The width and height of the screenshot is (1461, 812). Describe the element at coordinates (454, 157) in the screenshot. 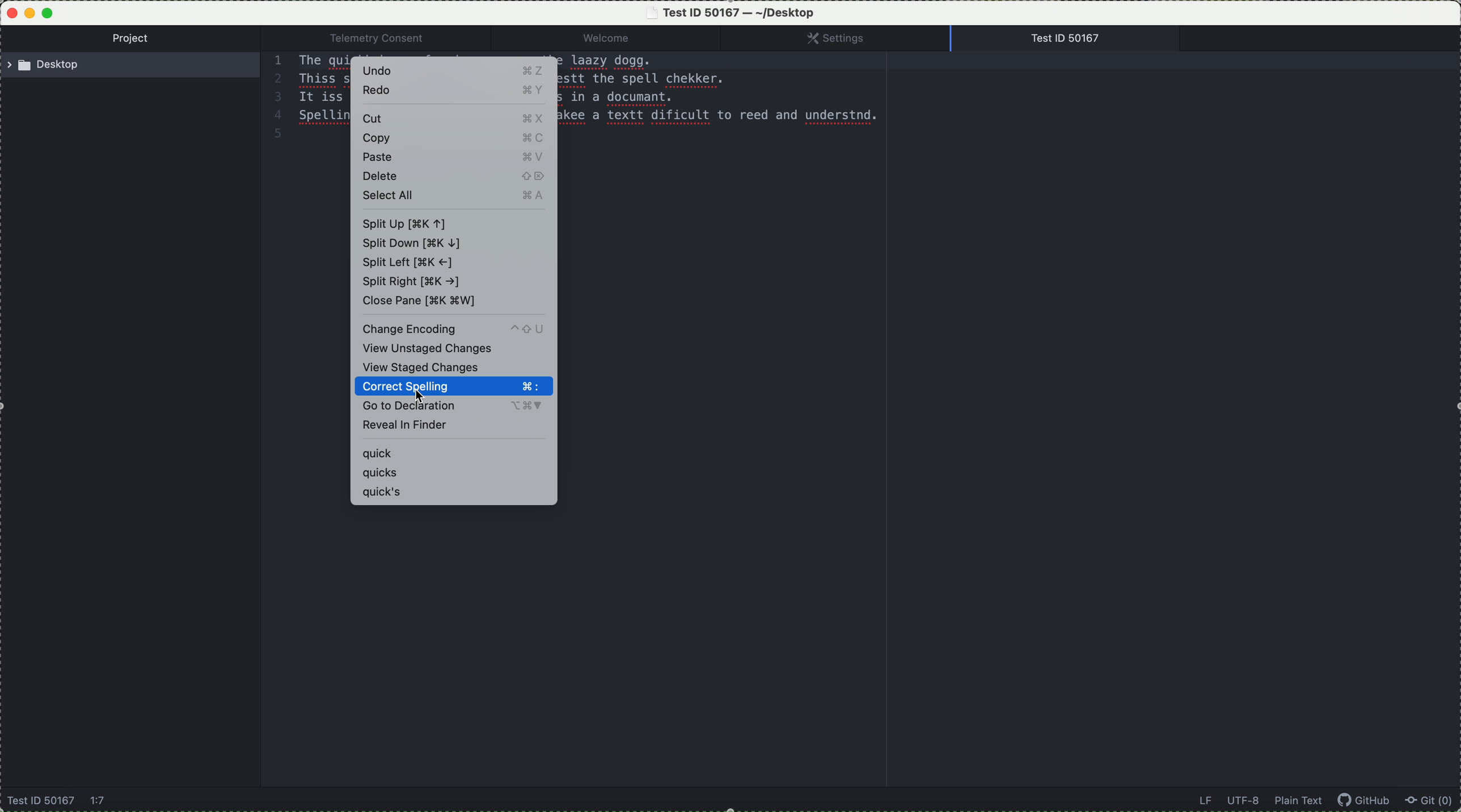

I see `paste` at that location.